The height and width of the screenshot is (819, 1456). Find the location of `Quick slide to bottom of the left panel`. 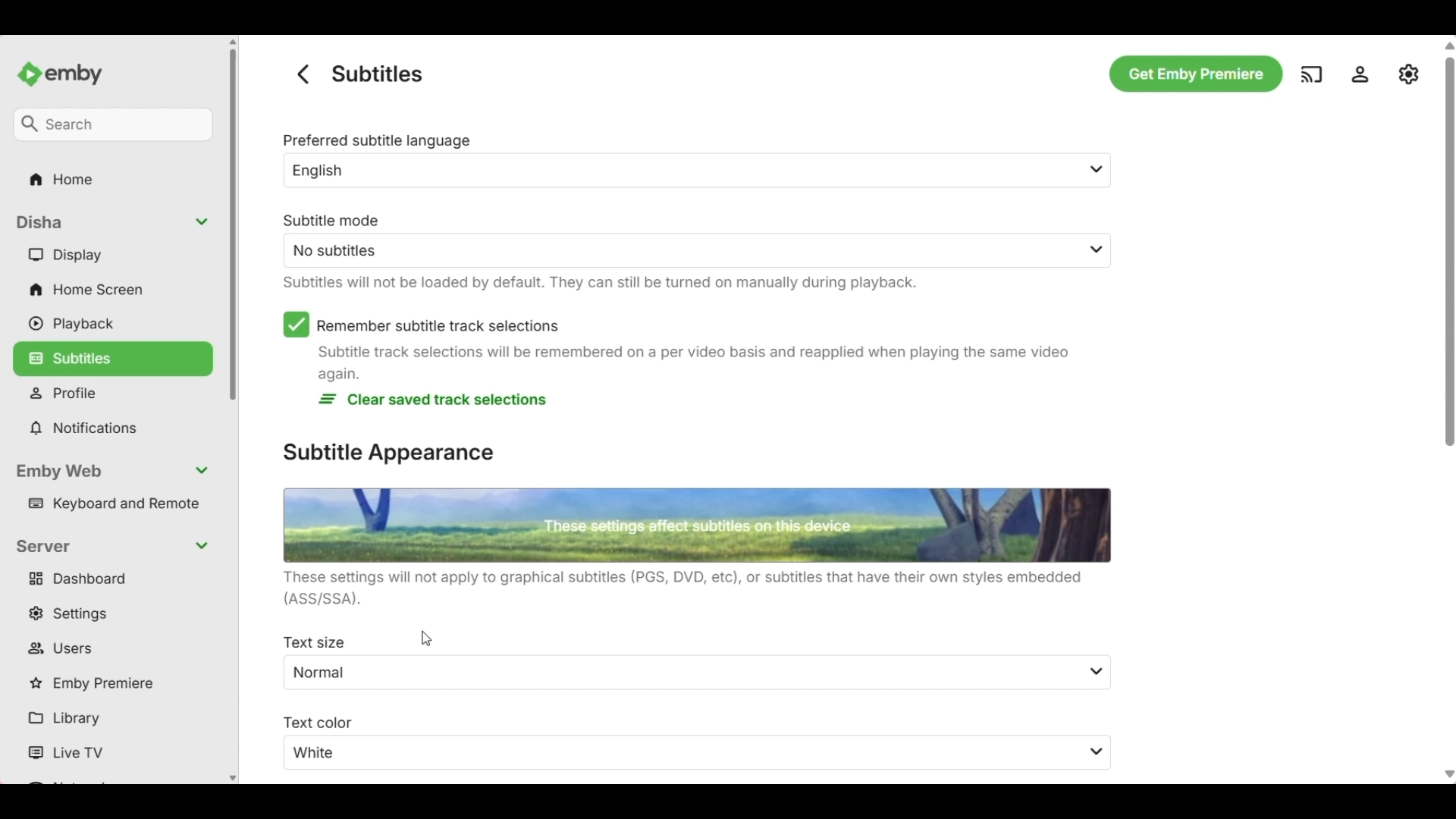

Quick slide to bottom of the left panel is located at coordinates (233, 779).